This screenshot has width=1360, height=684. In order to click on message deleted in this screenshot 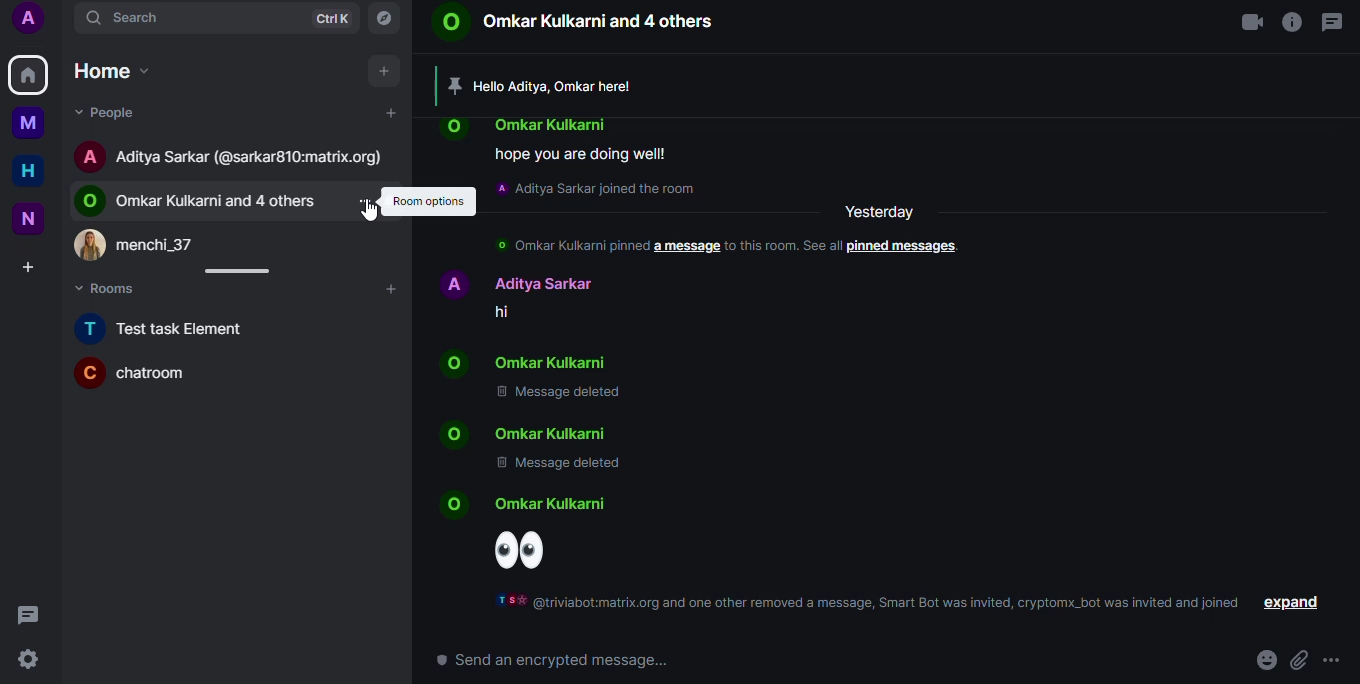, I will do `click(558, 464)`.